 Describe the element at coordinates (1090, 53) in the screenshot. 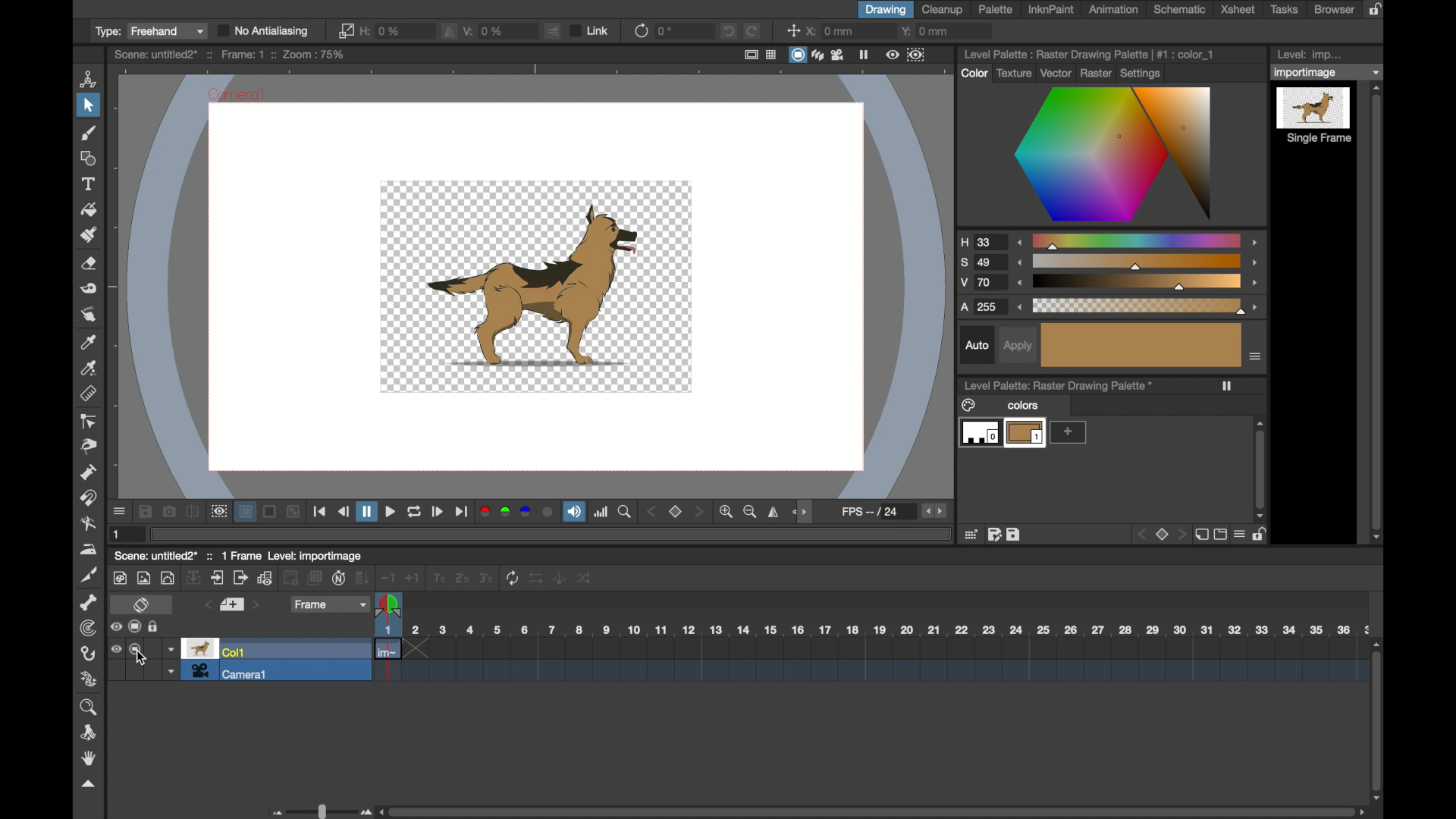

I see `Level Palette : Raster Drawing Palette | #1 : color_1` at that location.